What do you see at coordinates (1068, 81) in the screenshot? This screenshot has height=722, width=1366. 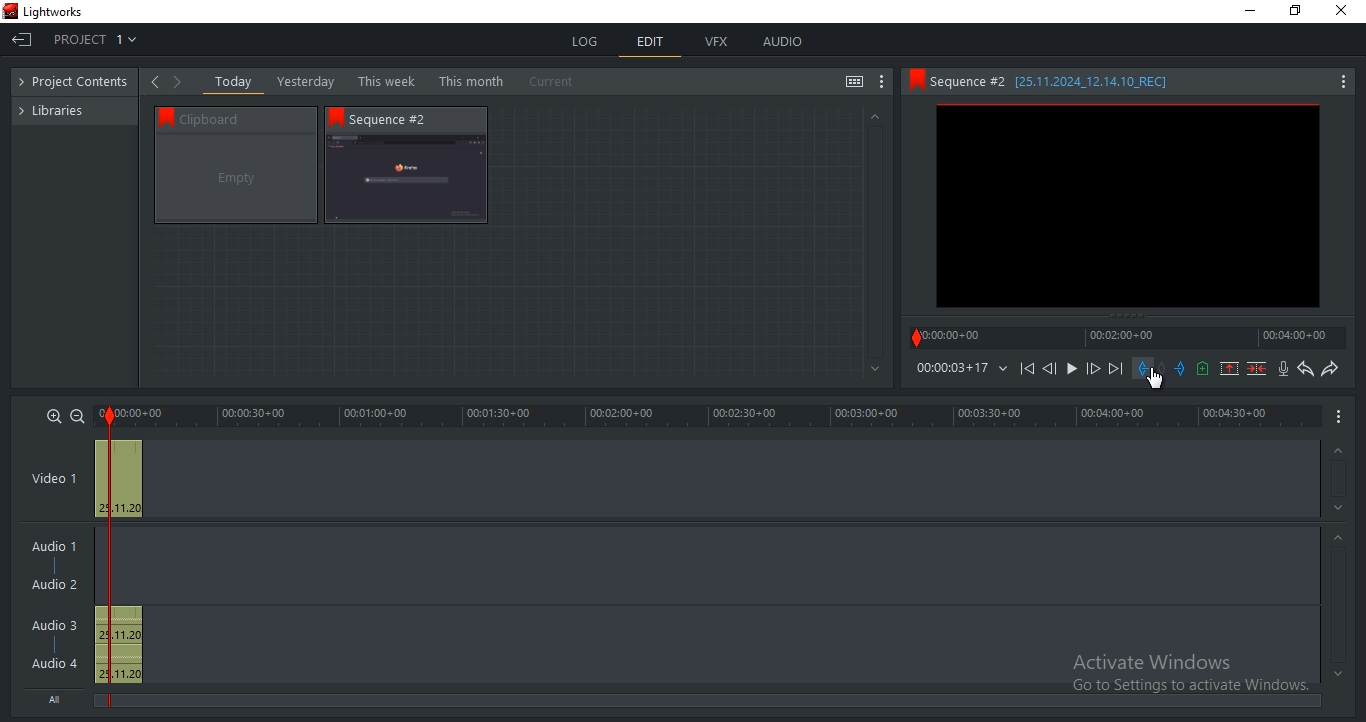 I see `Sequence 2 details` at bounding box center [1068, 81].